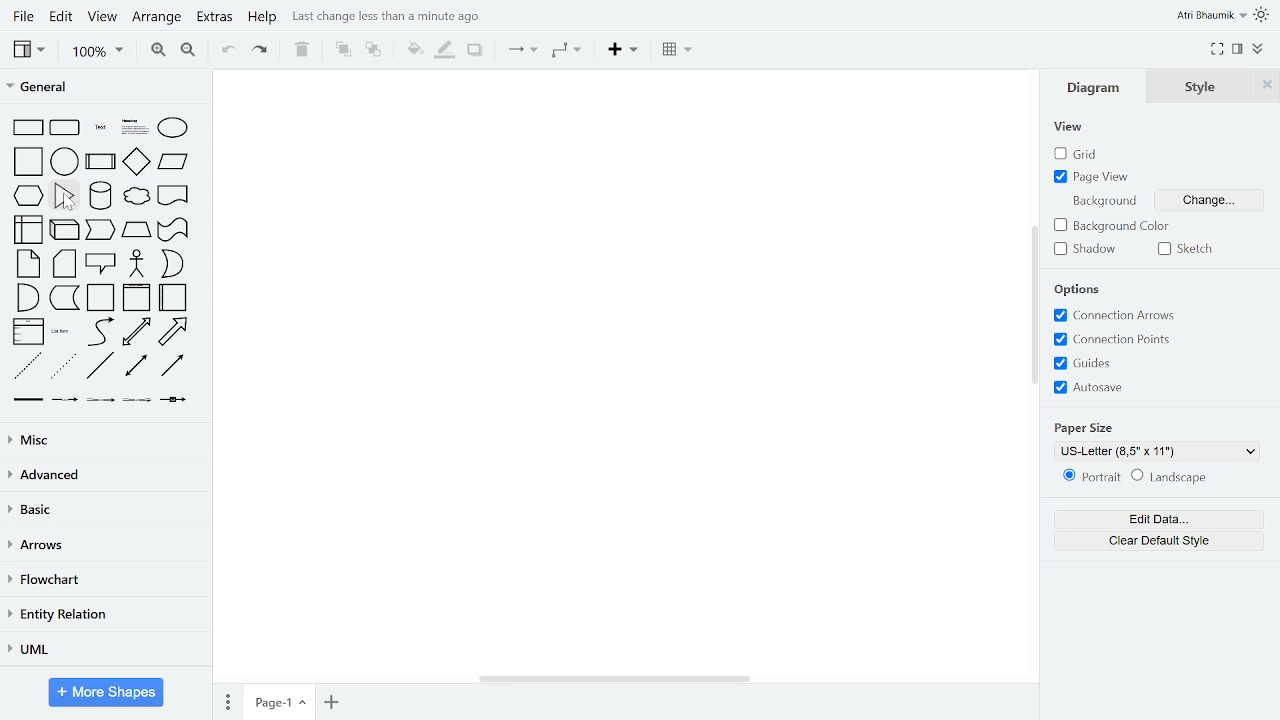  What do you see at coordinates (1072, 126) in the screenshot?
I see `view` at bounding box center [1072, 126].